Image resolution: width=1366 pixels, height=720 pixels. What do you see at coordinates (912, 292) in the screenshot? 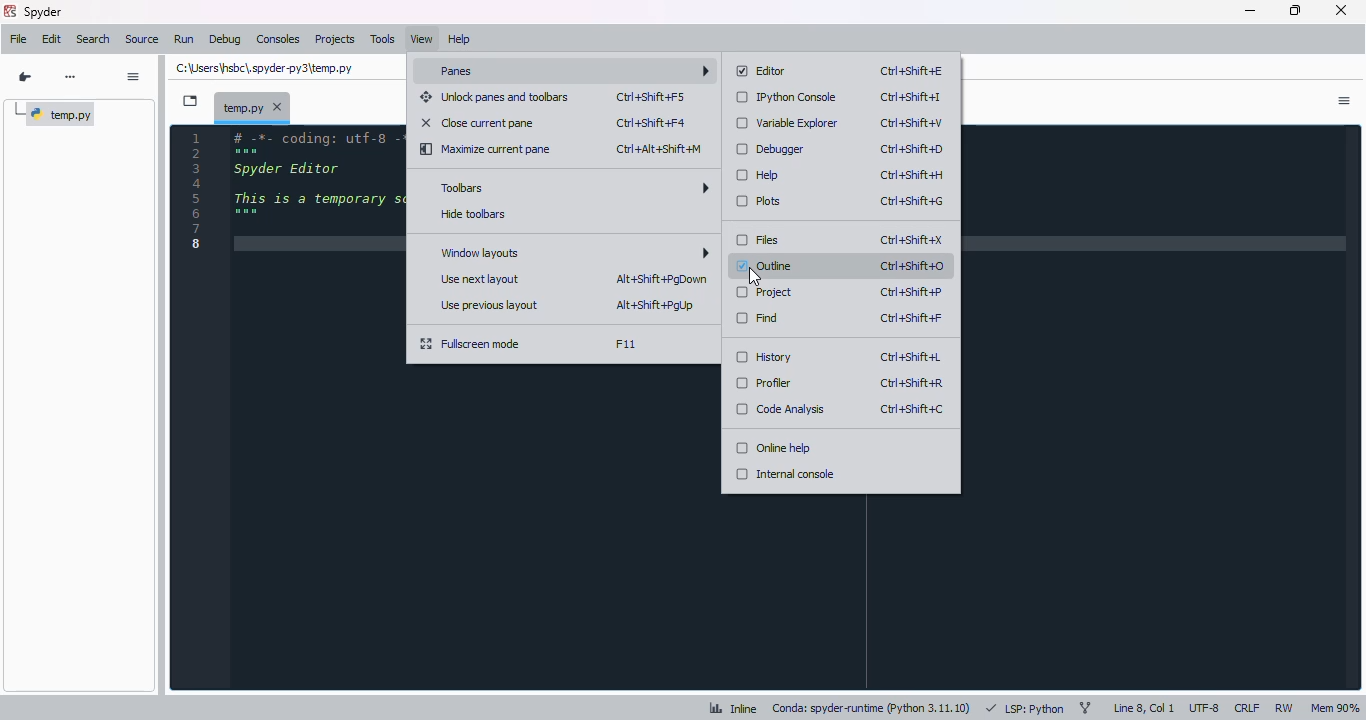
I see `shortcut for project` at bounding box center [912, 292].